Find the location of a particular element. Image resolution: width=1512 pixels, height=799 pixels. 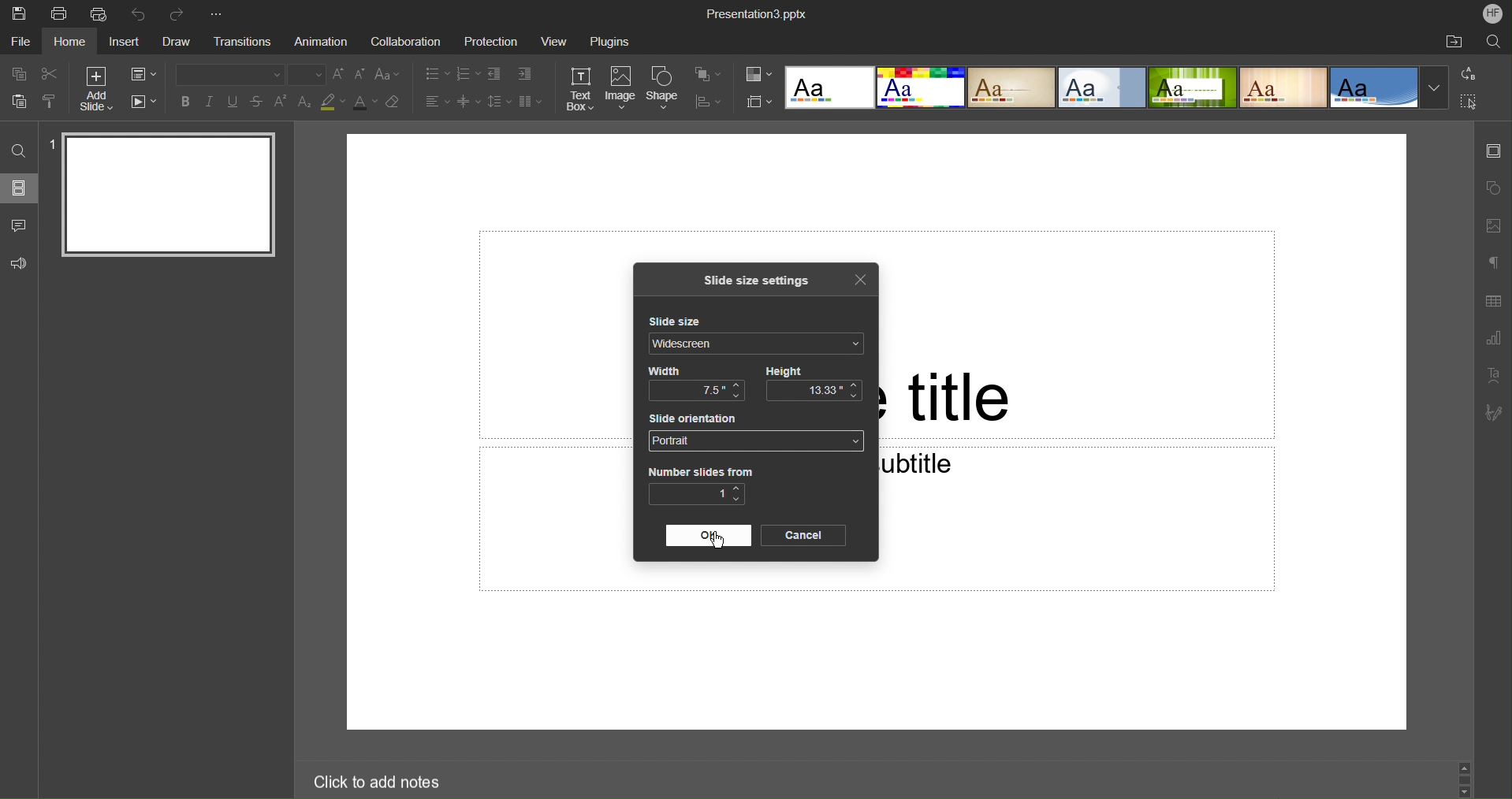

Print is located at coordinates (59, 13).